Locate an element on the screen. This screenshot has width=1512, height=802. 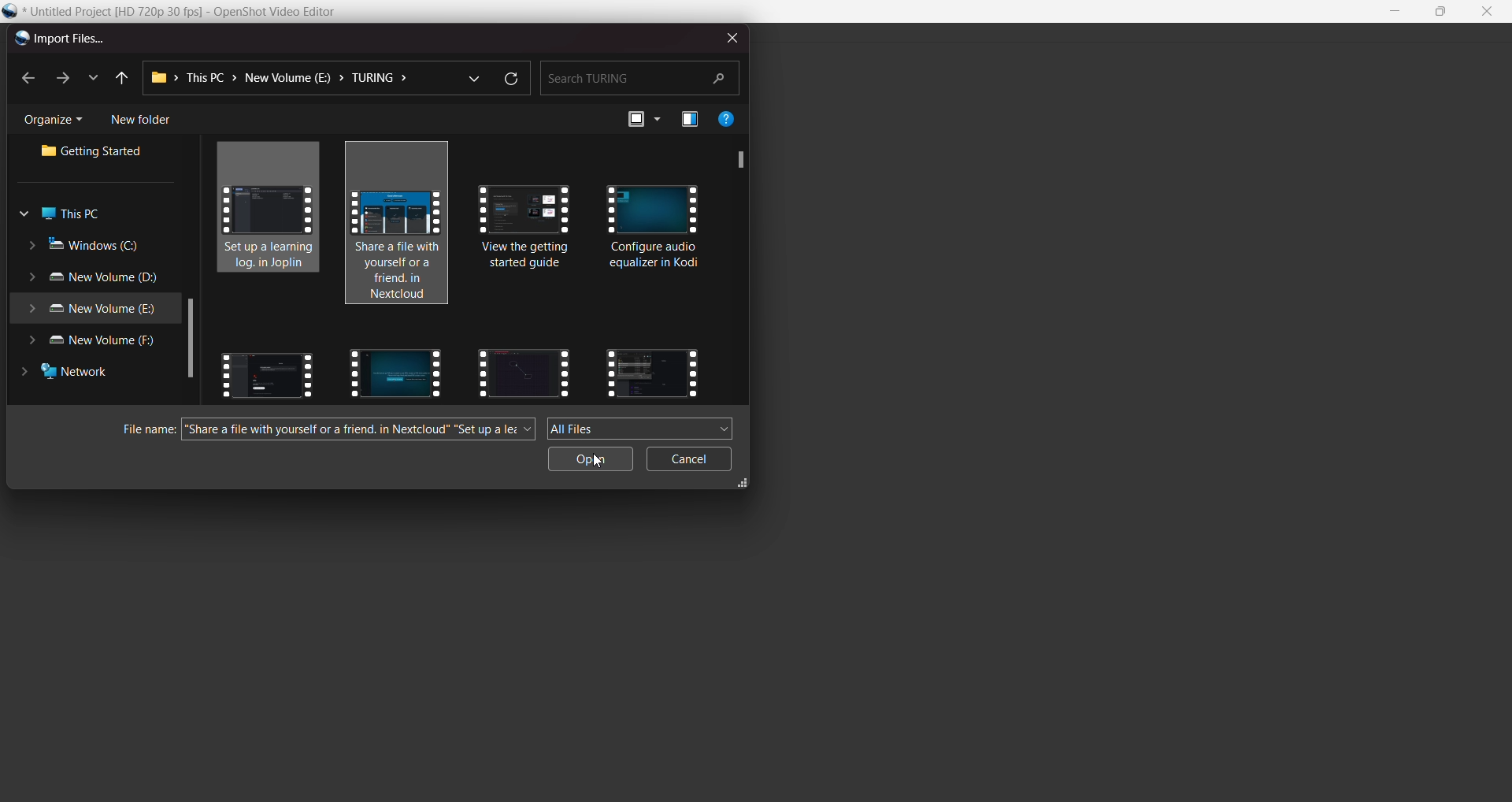
network is located at coordinates (72, 375).